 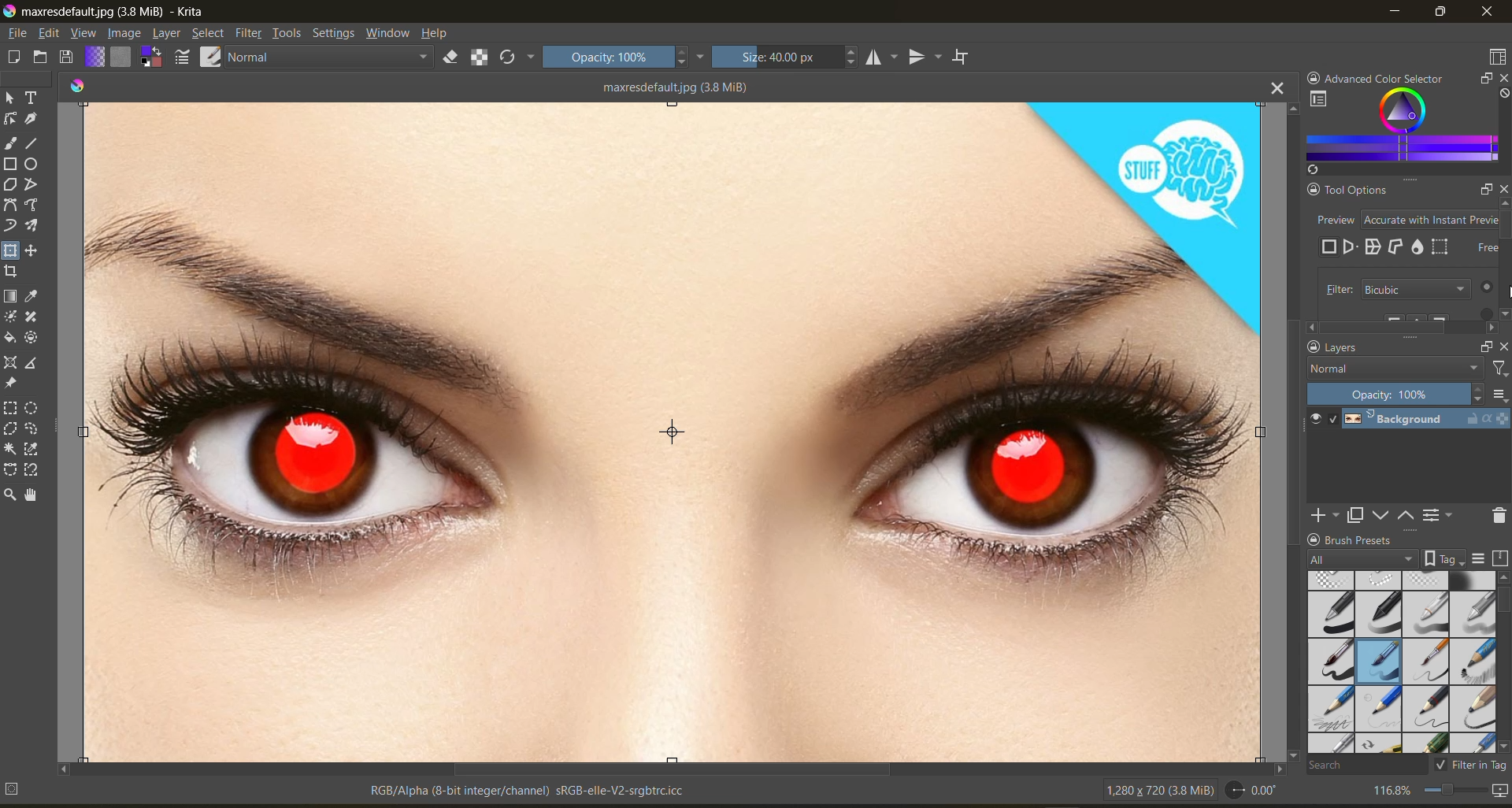 I want to click on float docker, so click(x=1484, y=345).